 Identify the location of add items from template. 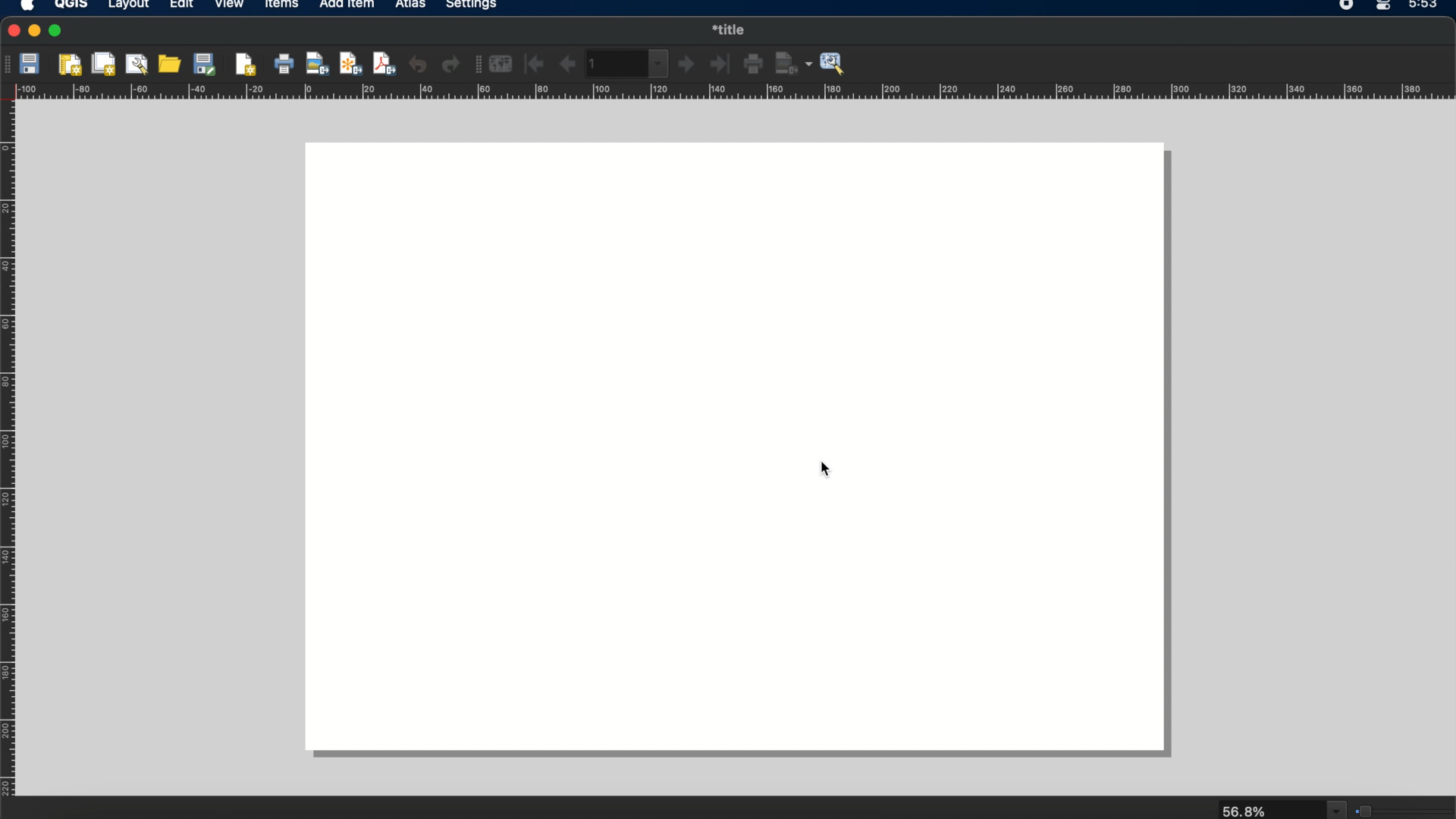
(170, 62).